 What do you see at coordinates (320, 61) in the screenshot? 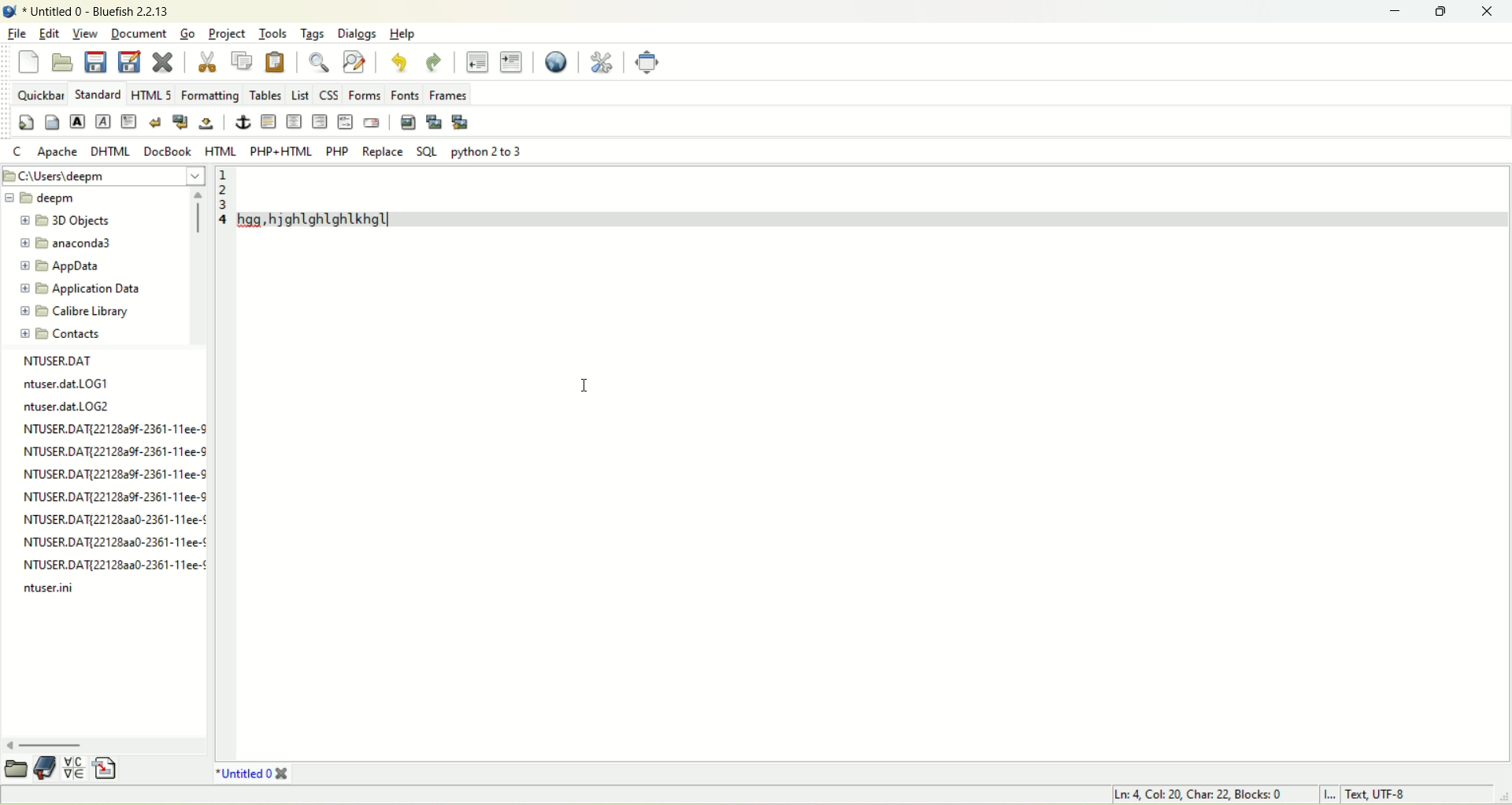
I see `find` at bounding box center [320, 61].